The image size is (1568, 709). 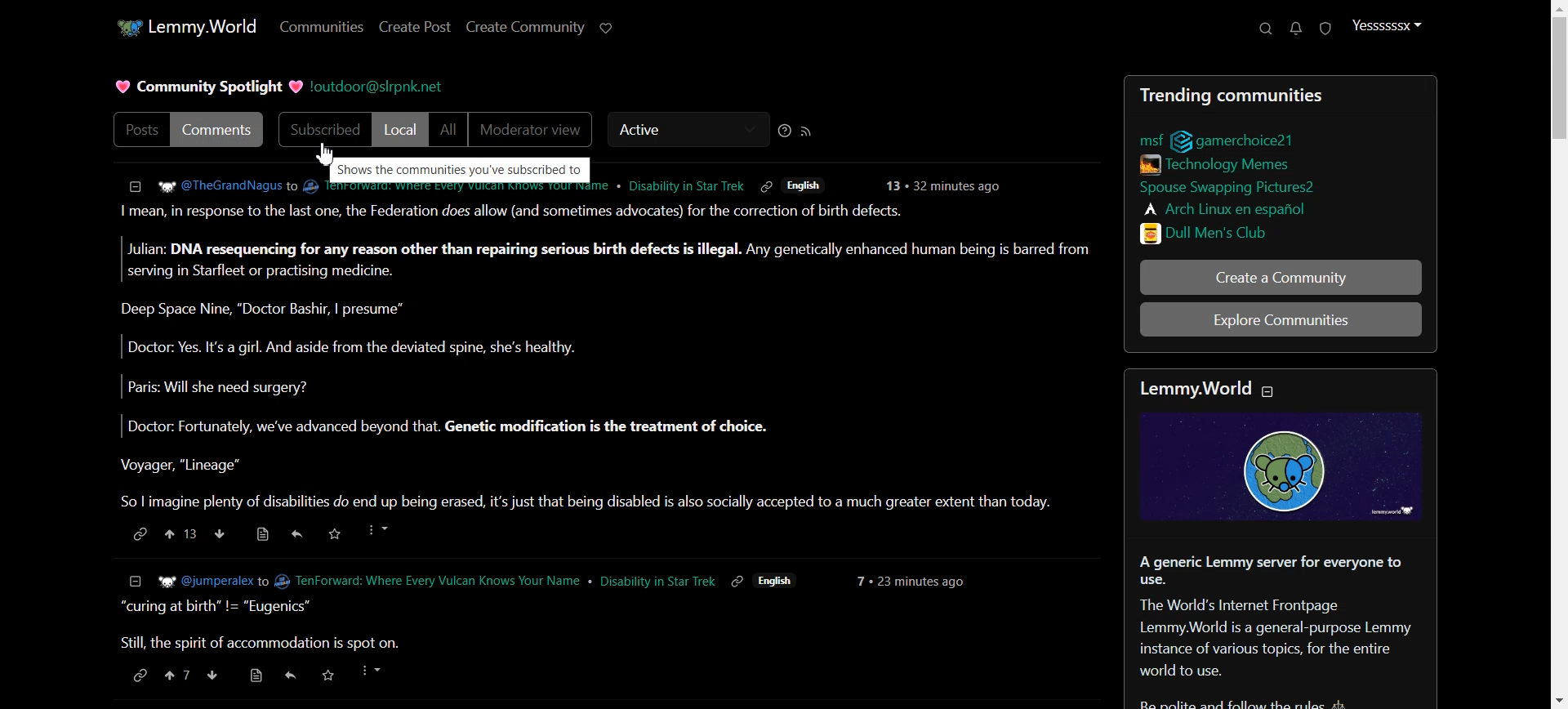 What do you see at coordinates (181, 26) in the screenshot?
I see `Home Page` at bounding box center [181, 26].